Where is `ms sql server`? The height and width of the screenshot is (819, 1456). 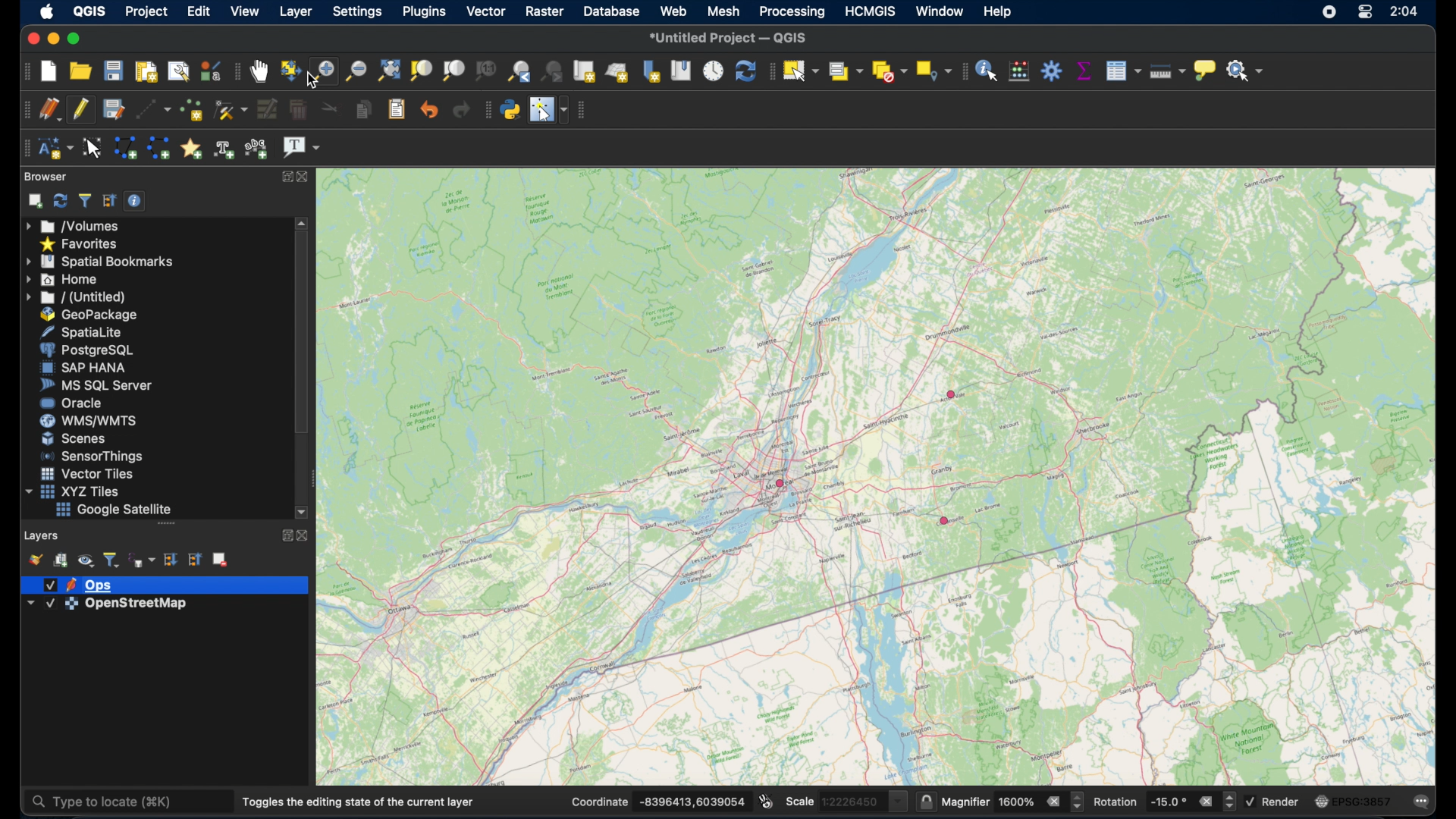
ms sql server is located at coordinates (93, 384).